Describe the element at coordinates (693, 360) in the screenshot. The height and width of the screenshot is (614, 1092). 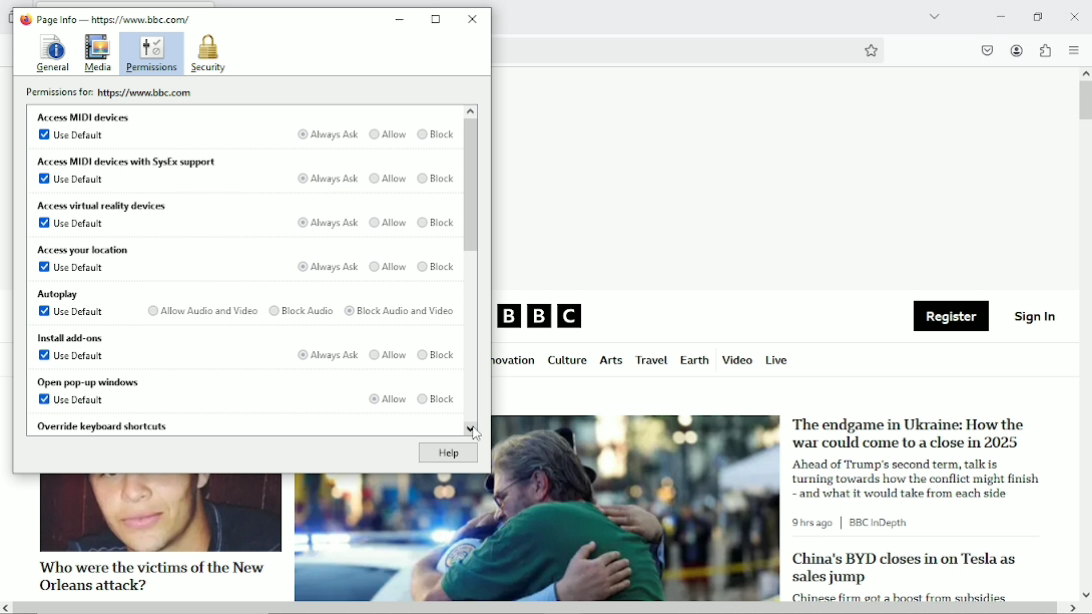
I see `Earth` at that location.